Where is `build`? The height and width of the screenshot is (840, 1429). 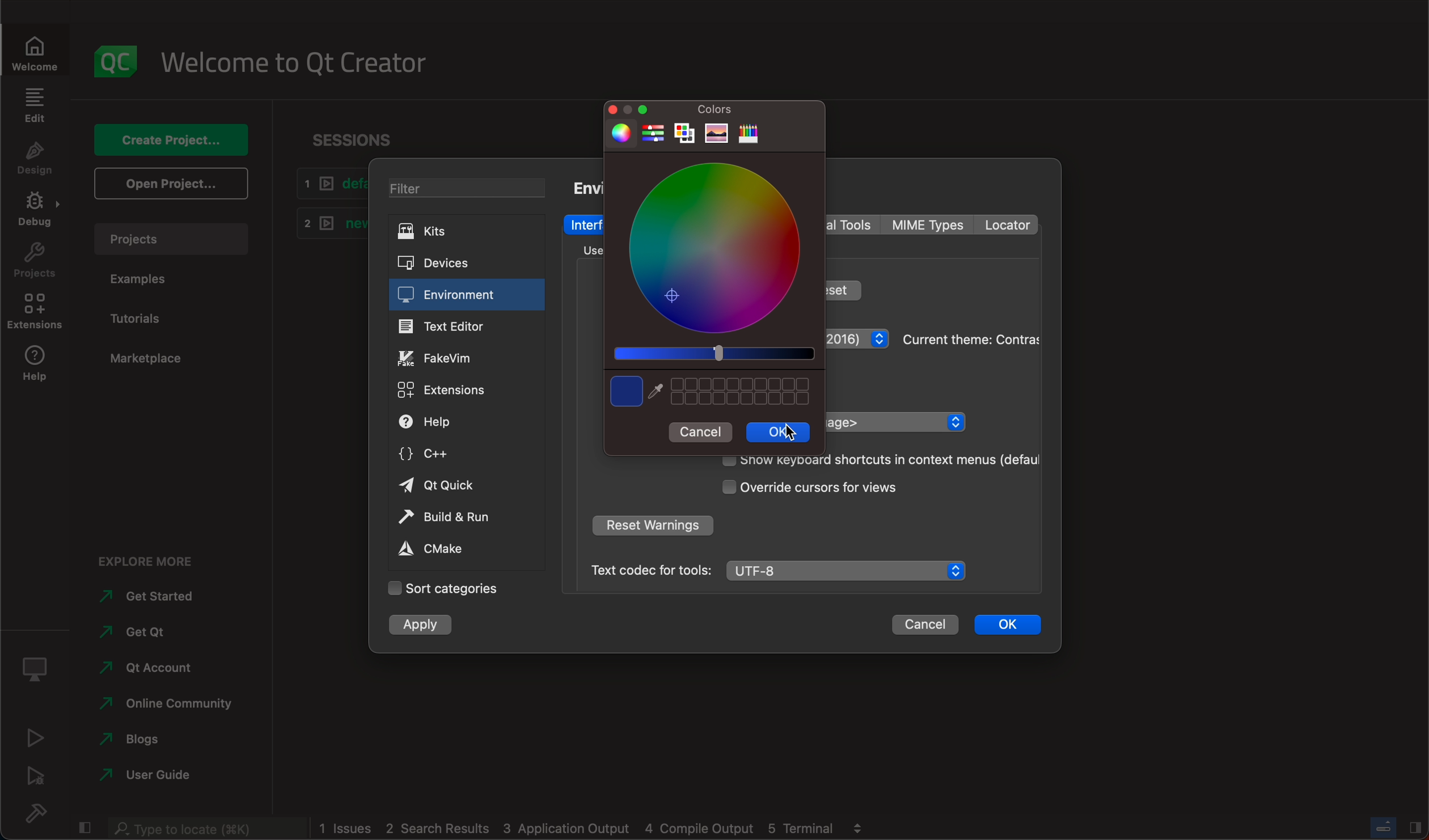
build is located at coordinates (43, 813).